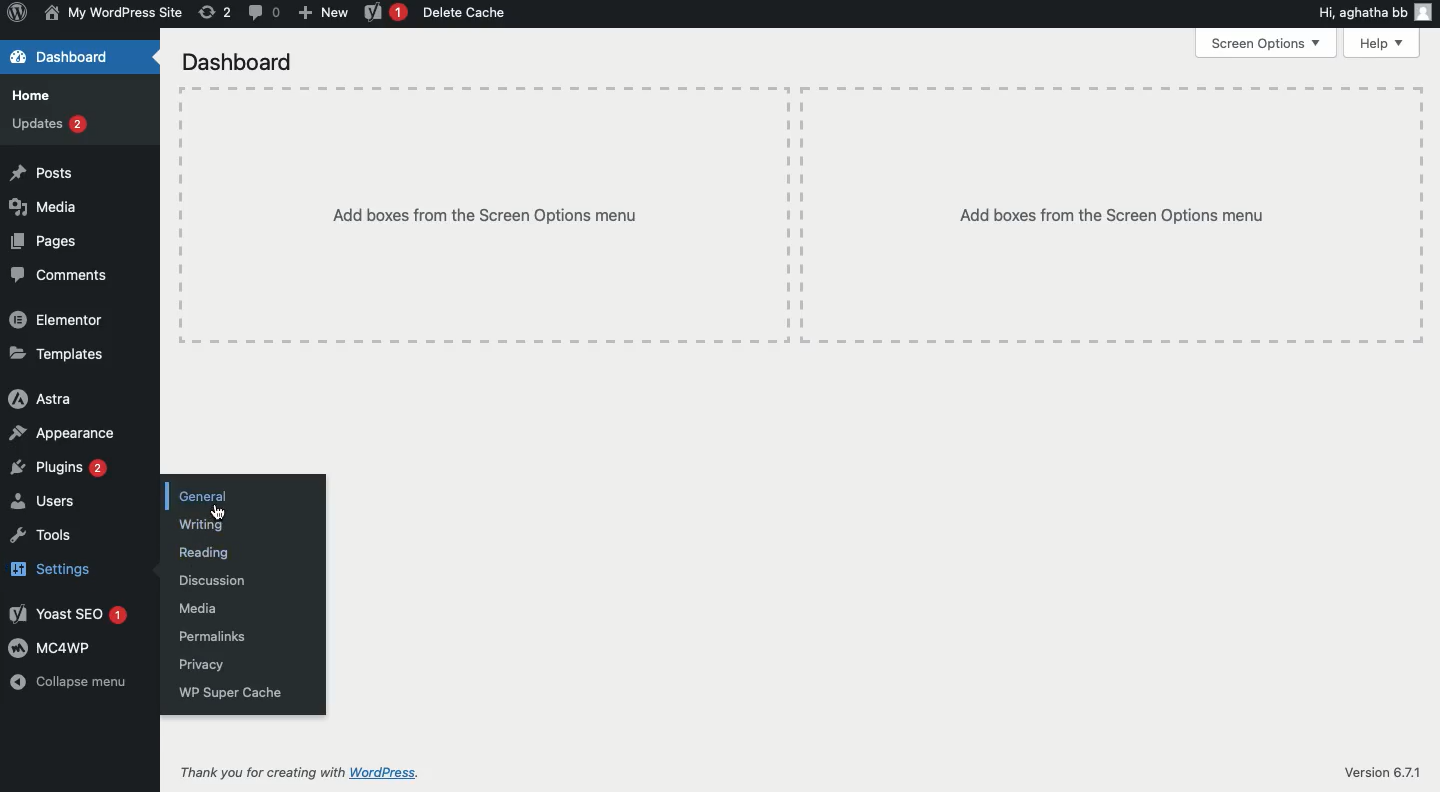 The height and width of the screenshot is (792, 1440). What do you see at coordinates (466, 14) in the screenshot?
I see `Delete cache` at bounding box center [466, 14].